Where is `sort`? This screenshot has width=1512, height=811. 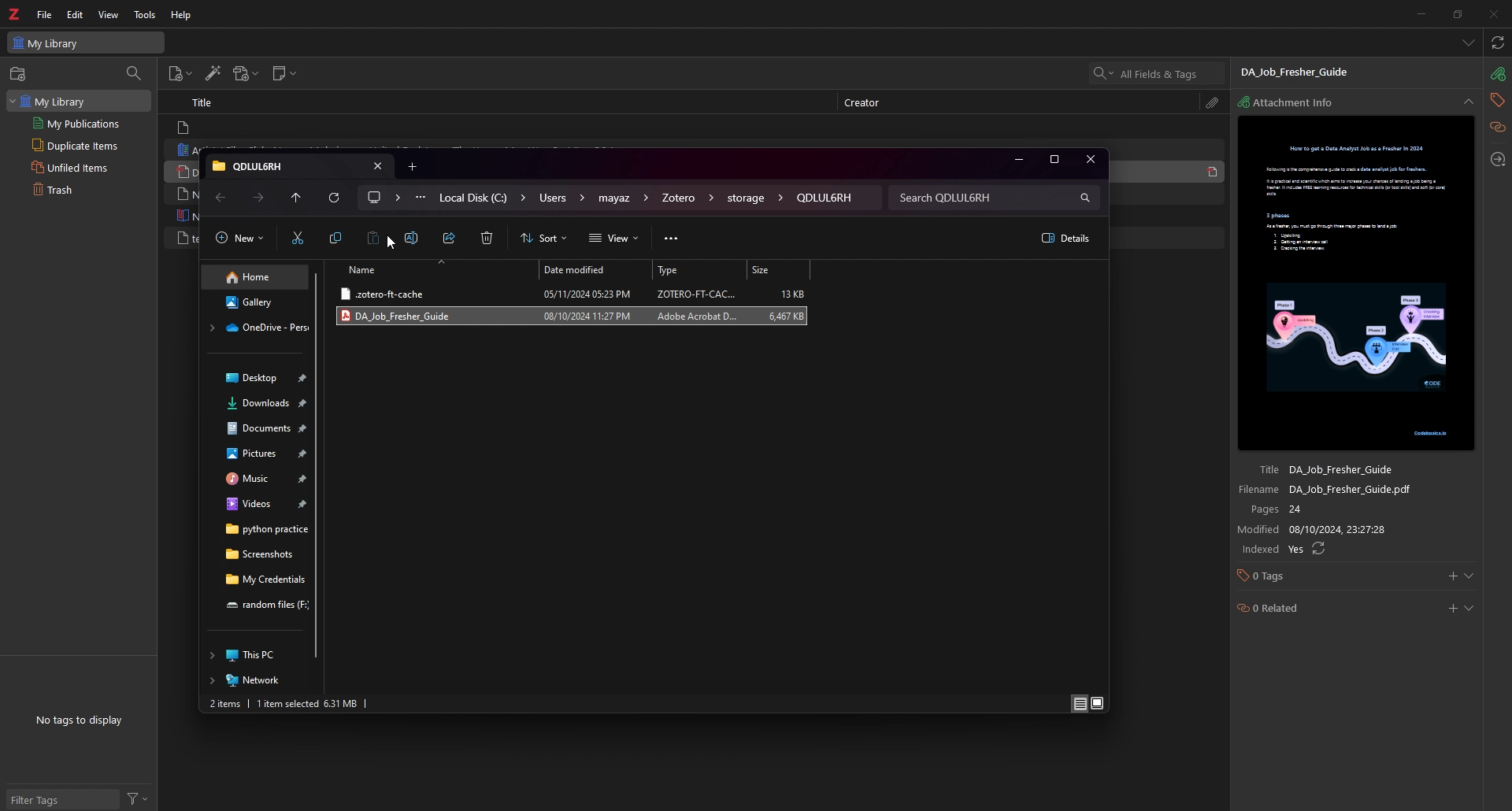
sort is located at coordinates (547, 239).